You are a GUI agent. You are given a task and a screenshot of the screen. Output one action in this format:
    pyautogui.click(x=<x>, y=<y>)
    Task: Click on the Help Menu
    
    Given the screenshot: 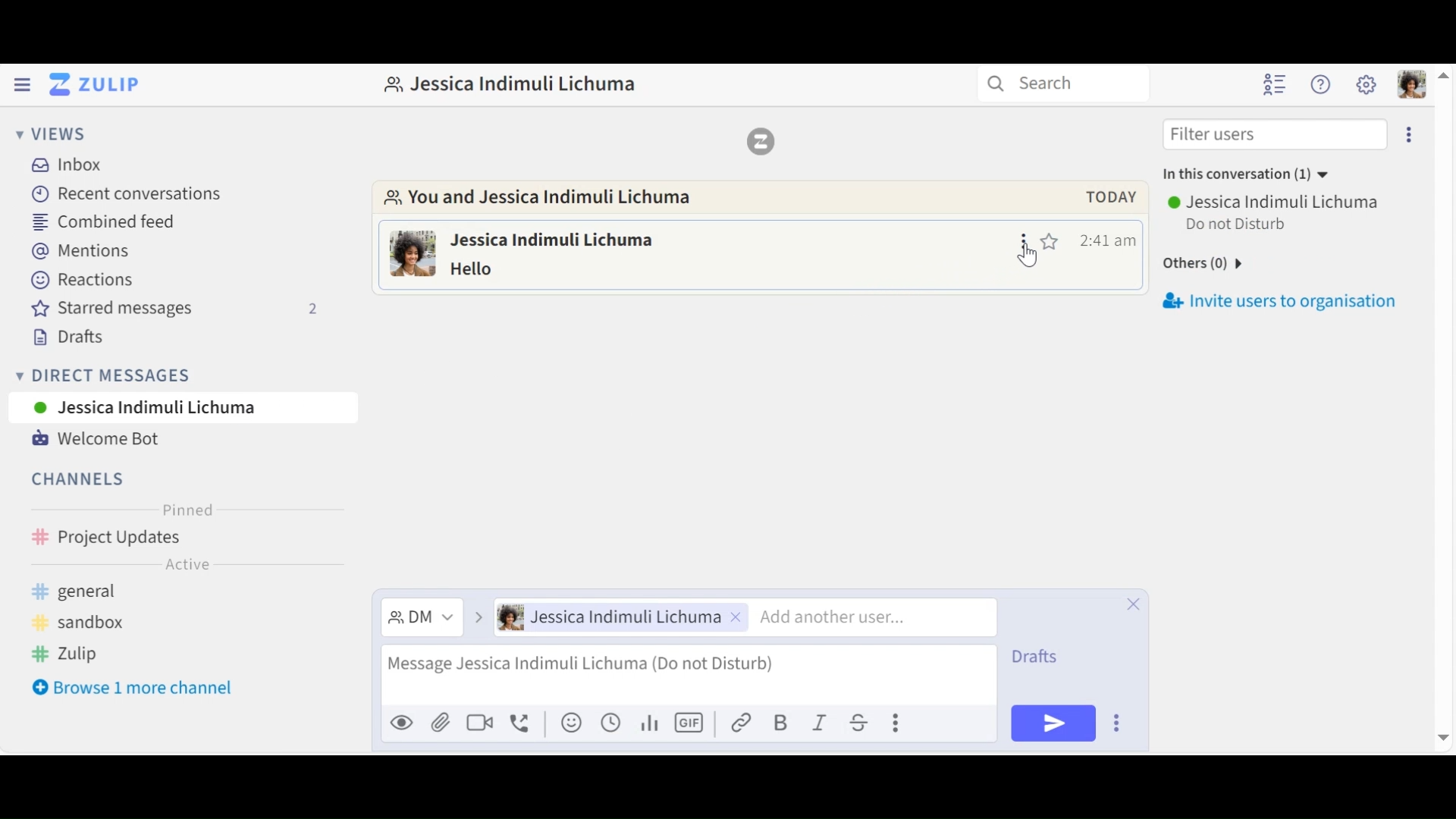 What is the action you would take?
    pyautogui.click(x=1321, y=83)
    